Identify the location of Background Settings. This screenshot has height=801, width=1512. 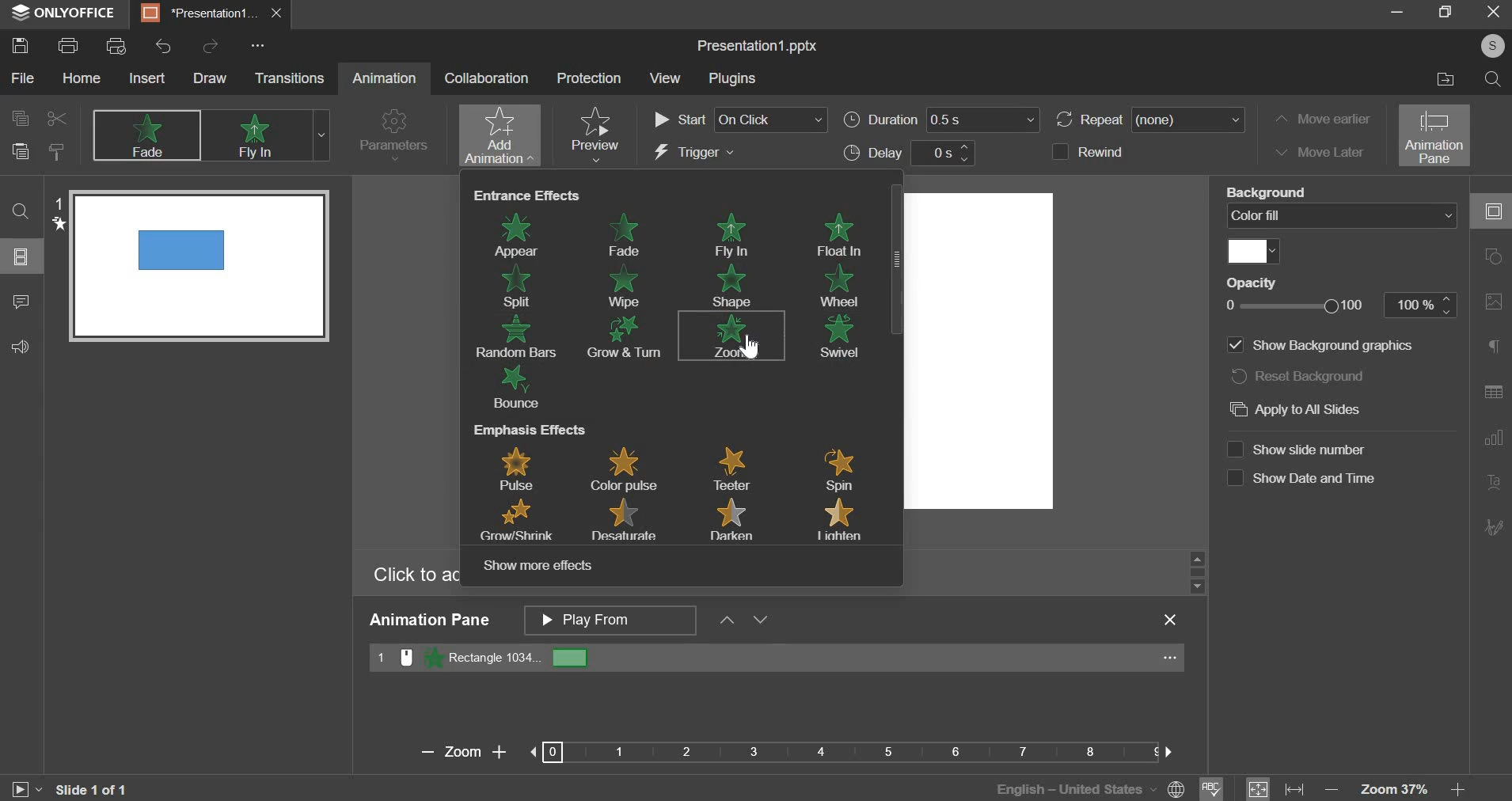
(1493, 301).